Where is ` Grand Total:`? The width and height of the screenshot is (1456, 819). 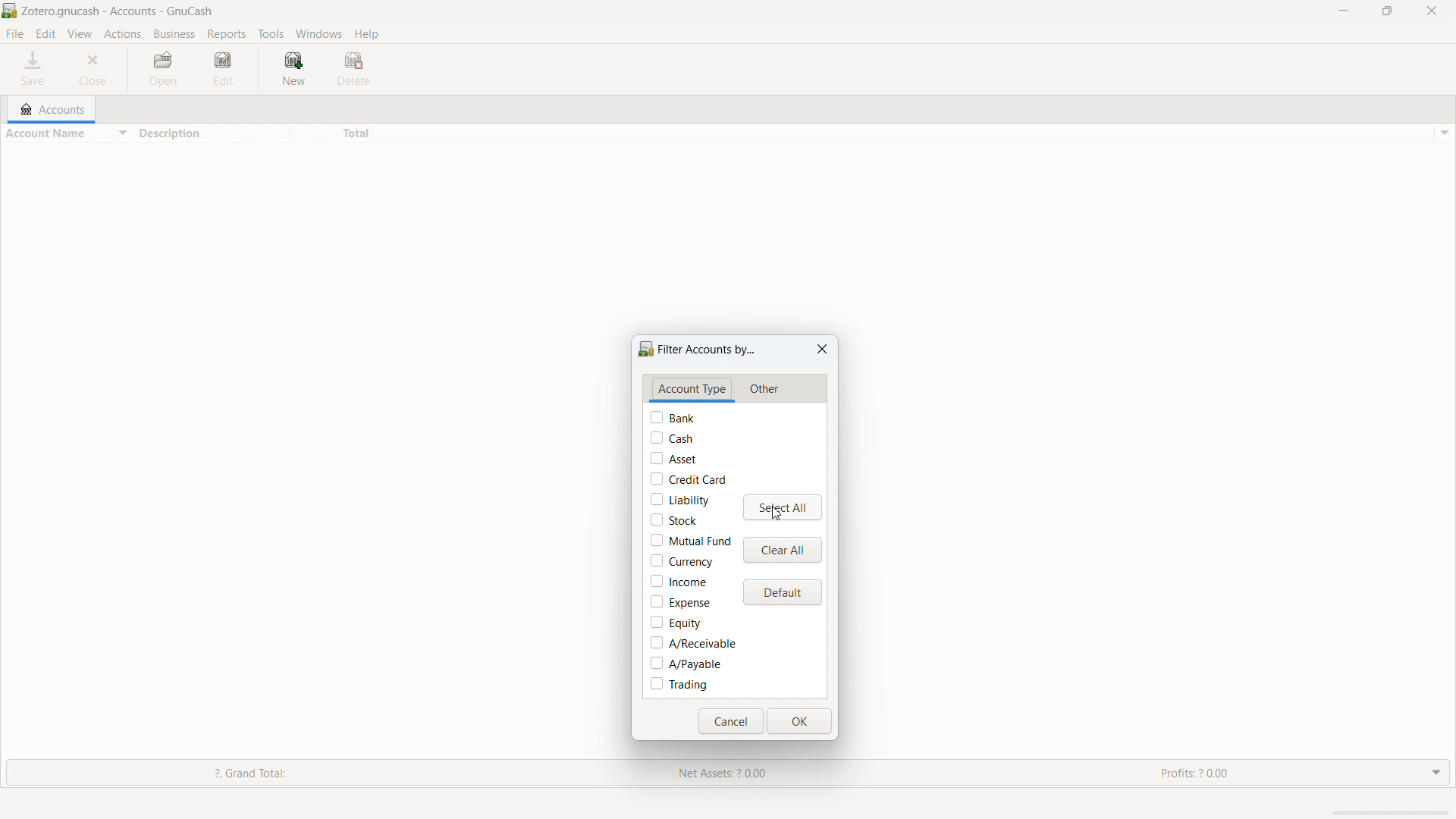  Grand Total: is located at coordinates (275, 773).